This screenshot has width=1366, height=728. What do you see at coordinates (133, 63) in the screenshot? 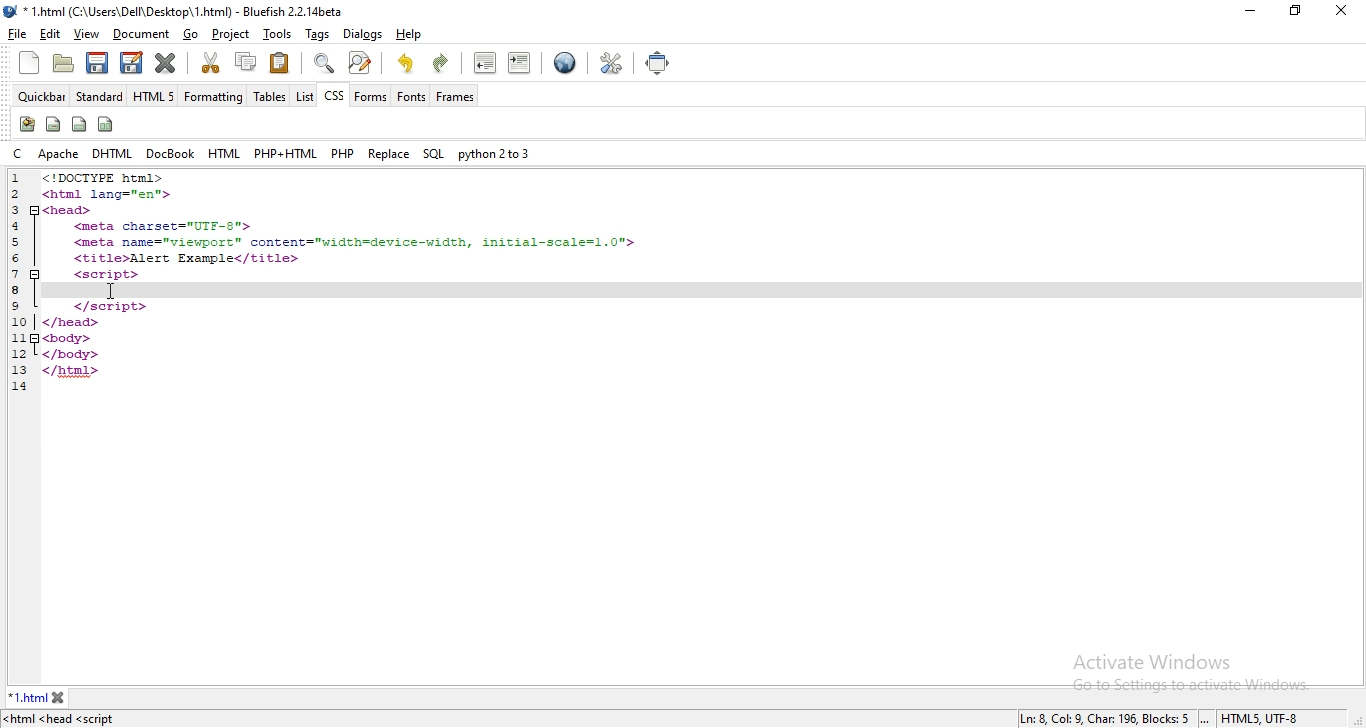
I see `edit` at bounding box center [133, 63].